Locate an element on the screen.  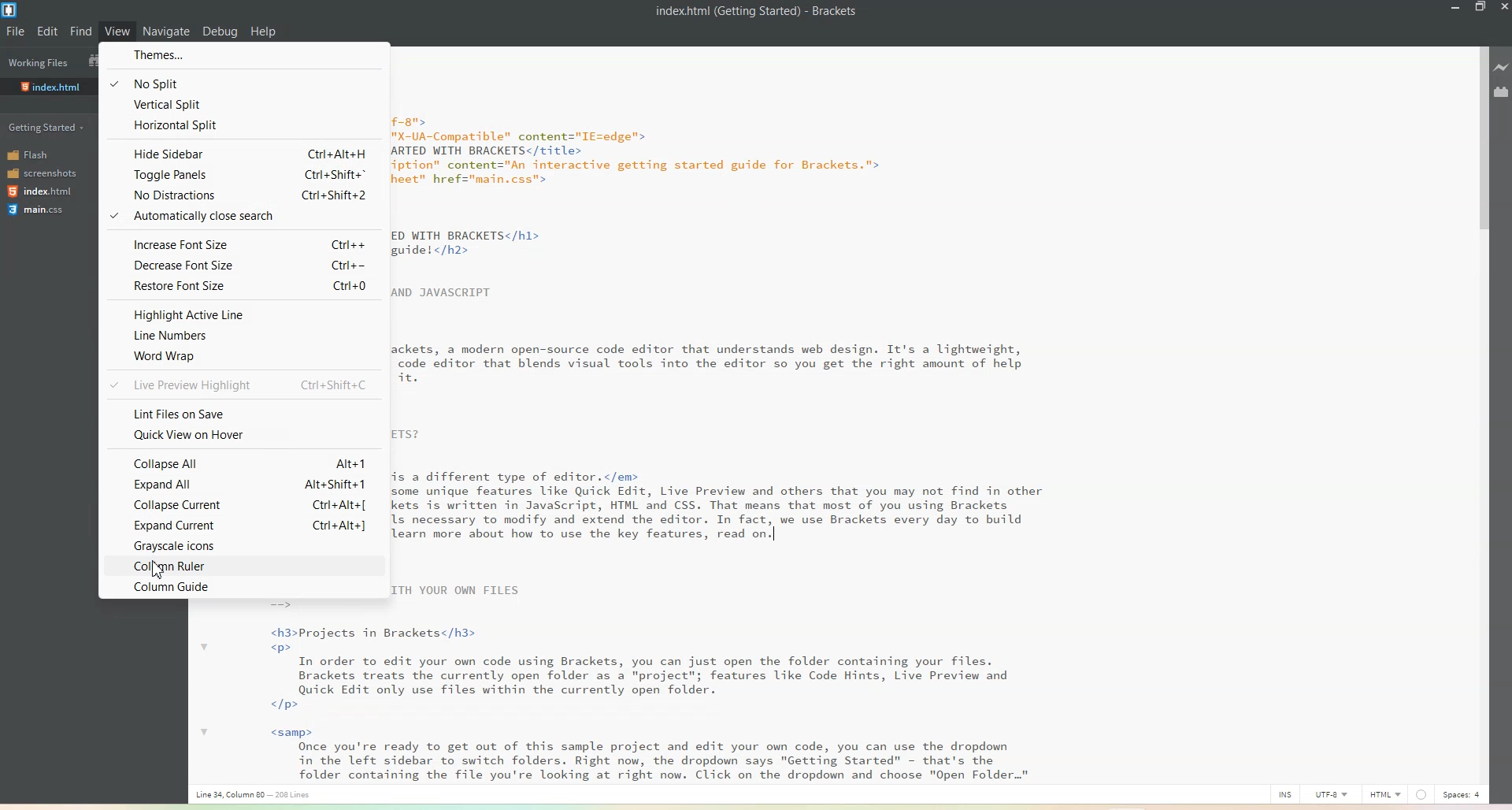
Column Ruler is located at coordinates (241, 567).